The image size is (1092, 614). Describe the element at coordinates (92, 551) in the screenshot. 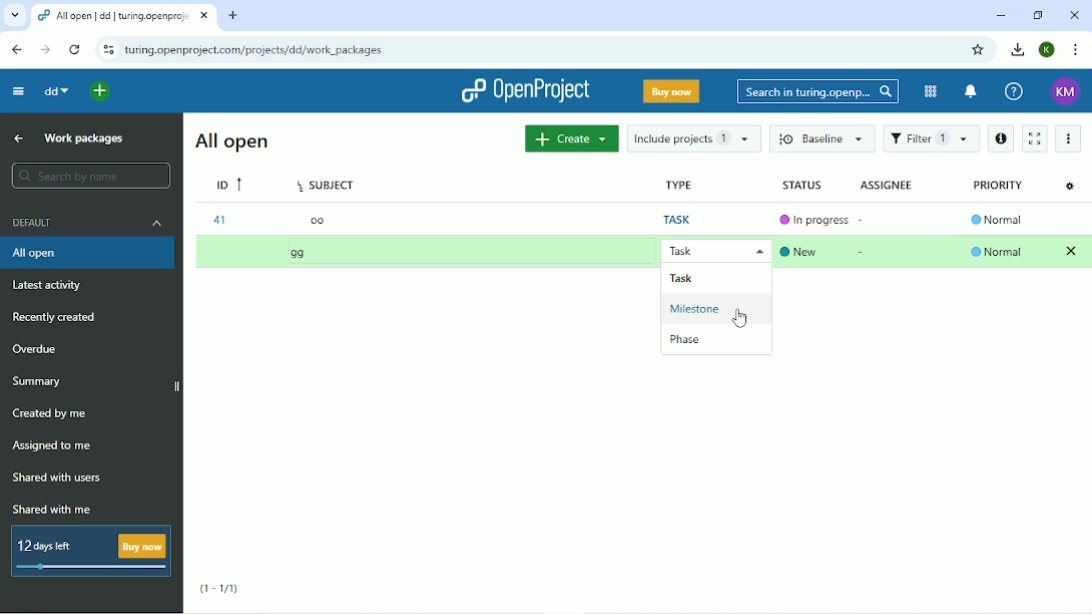

I see `12 days left Buy now` at that location.